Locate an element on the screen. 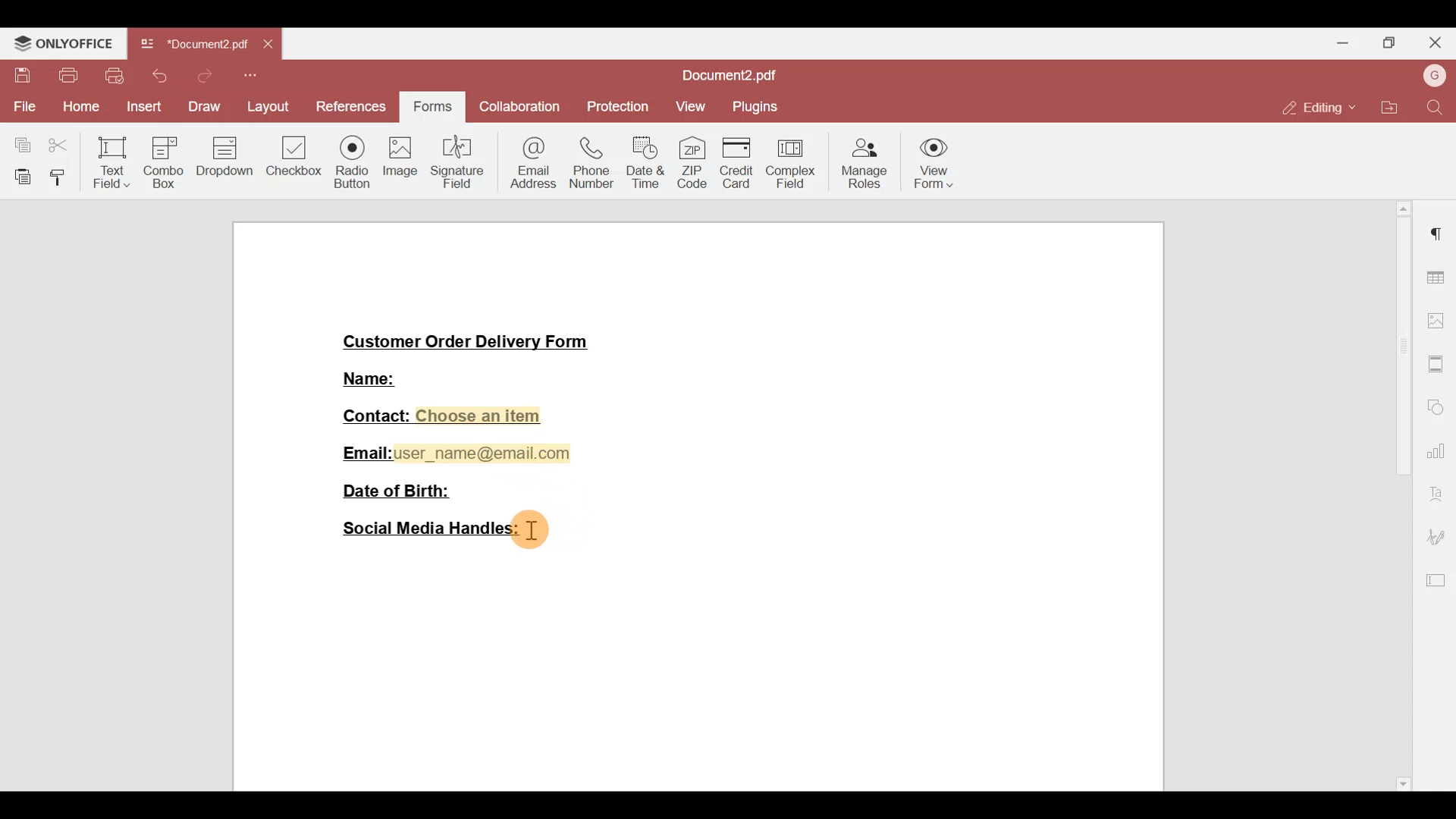  Protection is located at coordinates (614, 108).